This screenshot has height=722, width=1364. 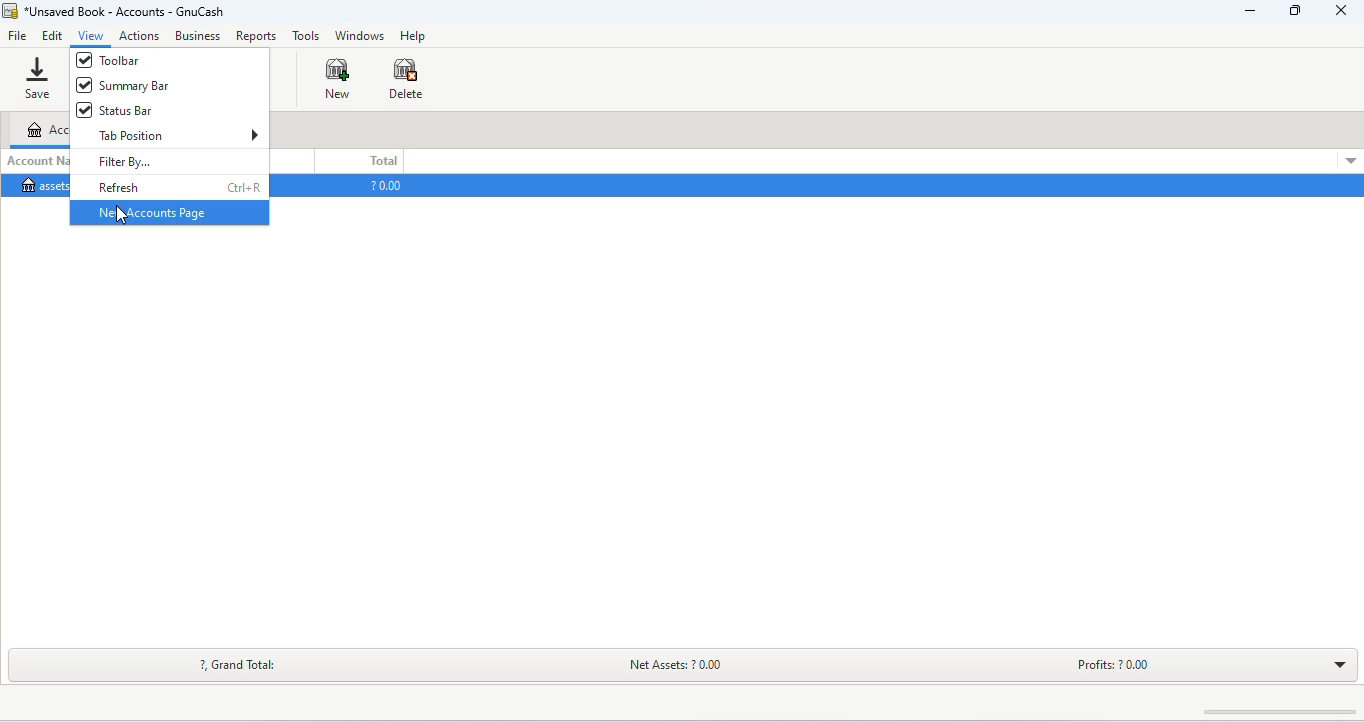 I want to click on checkbox, so click(x=83, y=110).